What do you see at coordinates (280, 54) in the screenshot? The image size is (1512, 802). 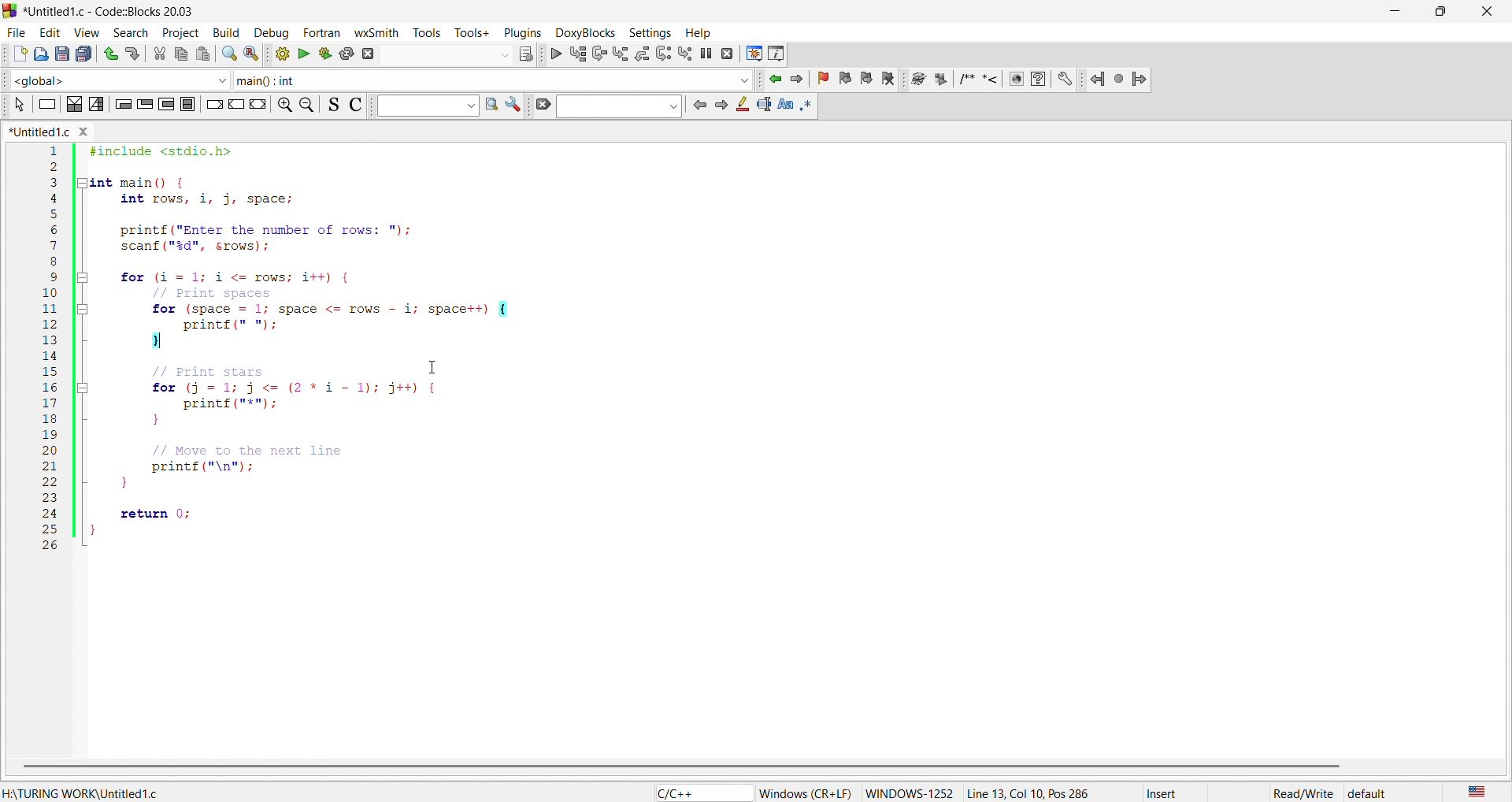 I see `build` at bounding box center [280, 54].